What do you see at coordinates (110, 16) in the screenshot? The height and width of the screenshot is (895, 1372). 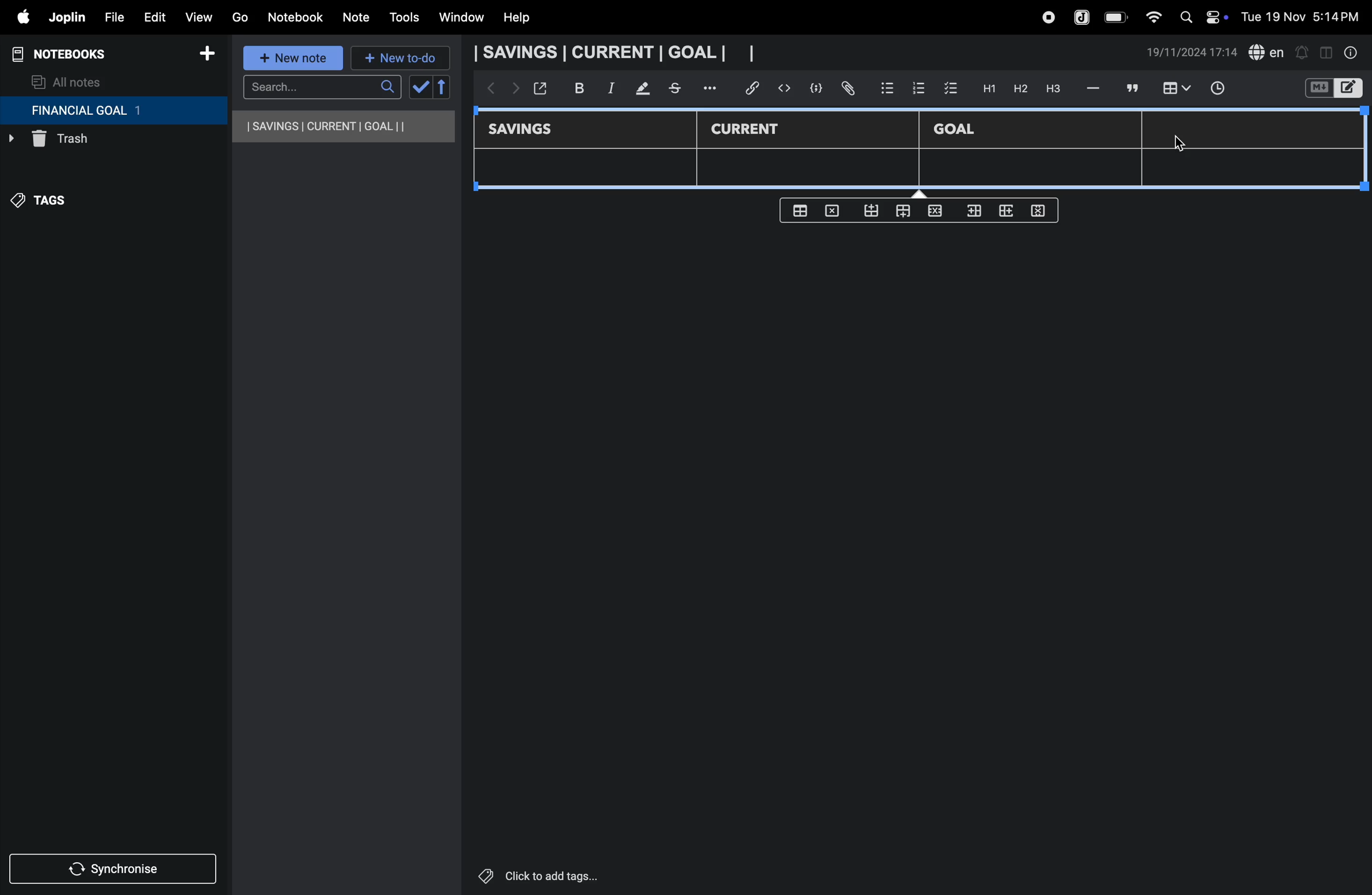 I see `file` at bounding box center [110, 16].